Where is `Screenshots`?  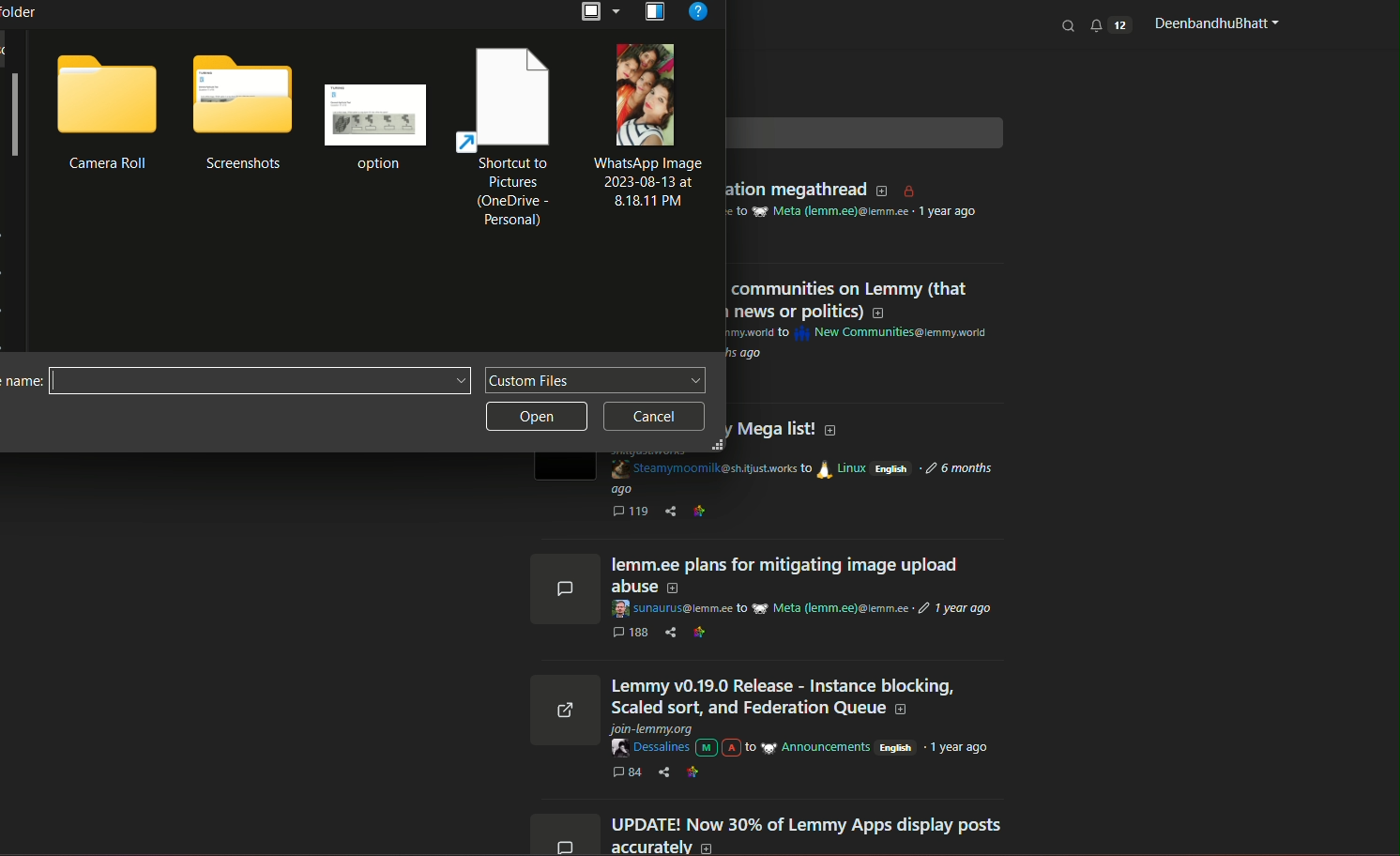
Screenshots is located at coordinates (243, 163).